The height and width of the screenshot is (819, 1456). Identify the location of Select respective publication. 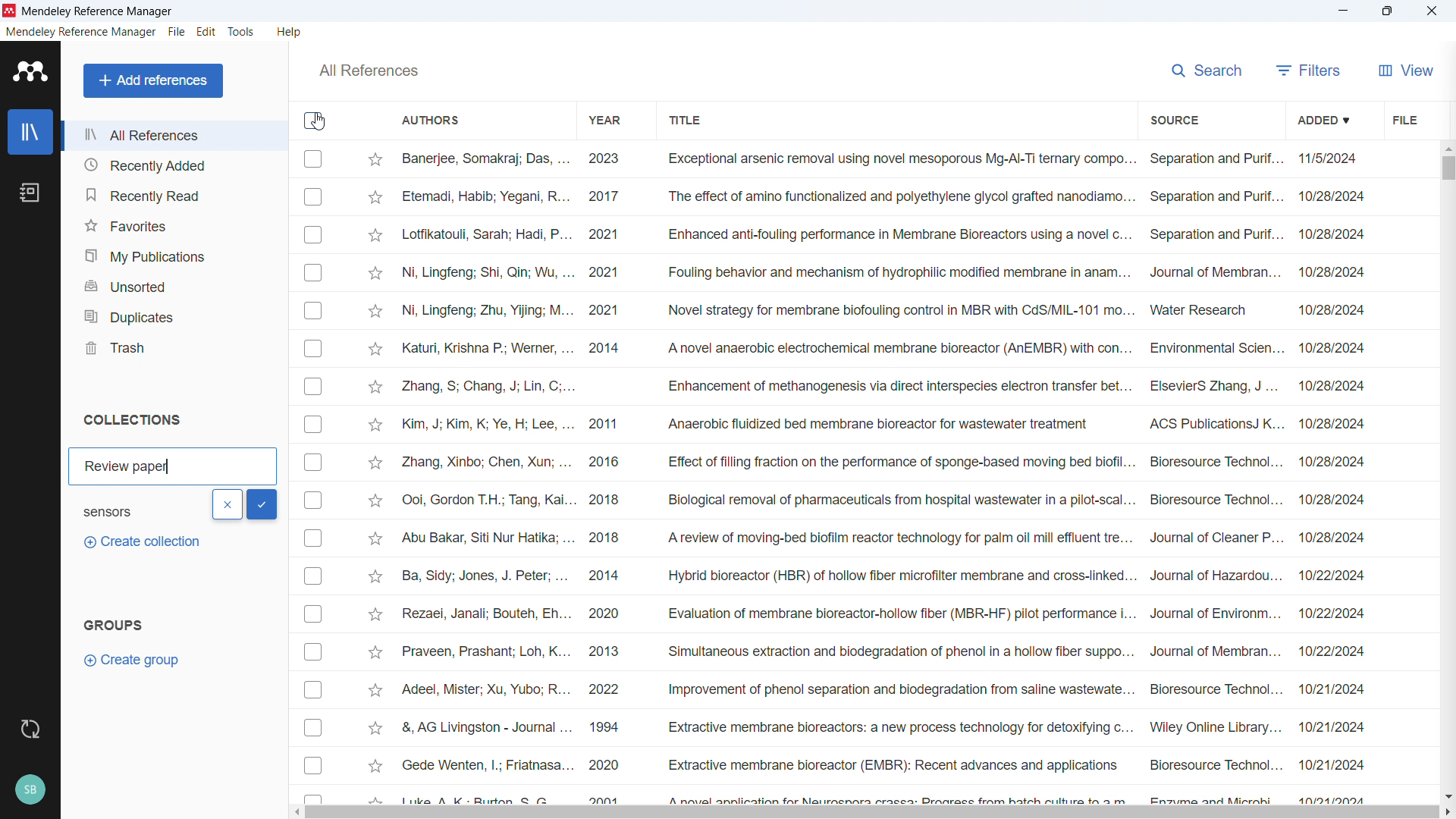
(313, 234).